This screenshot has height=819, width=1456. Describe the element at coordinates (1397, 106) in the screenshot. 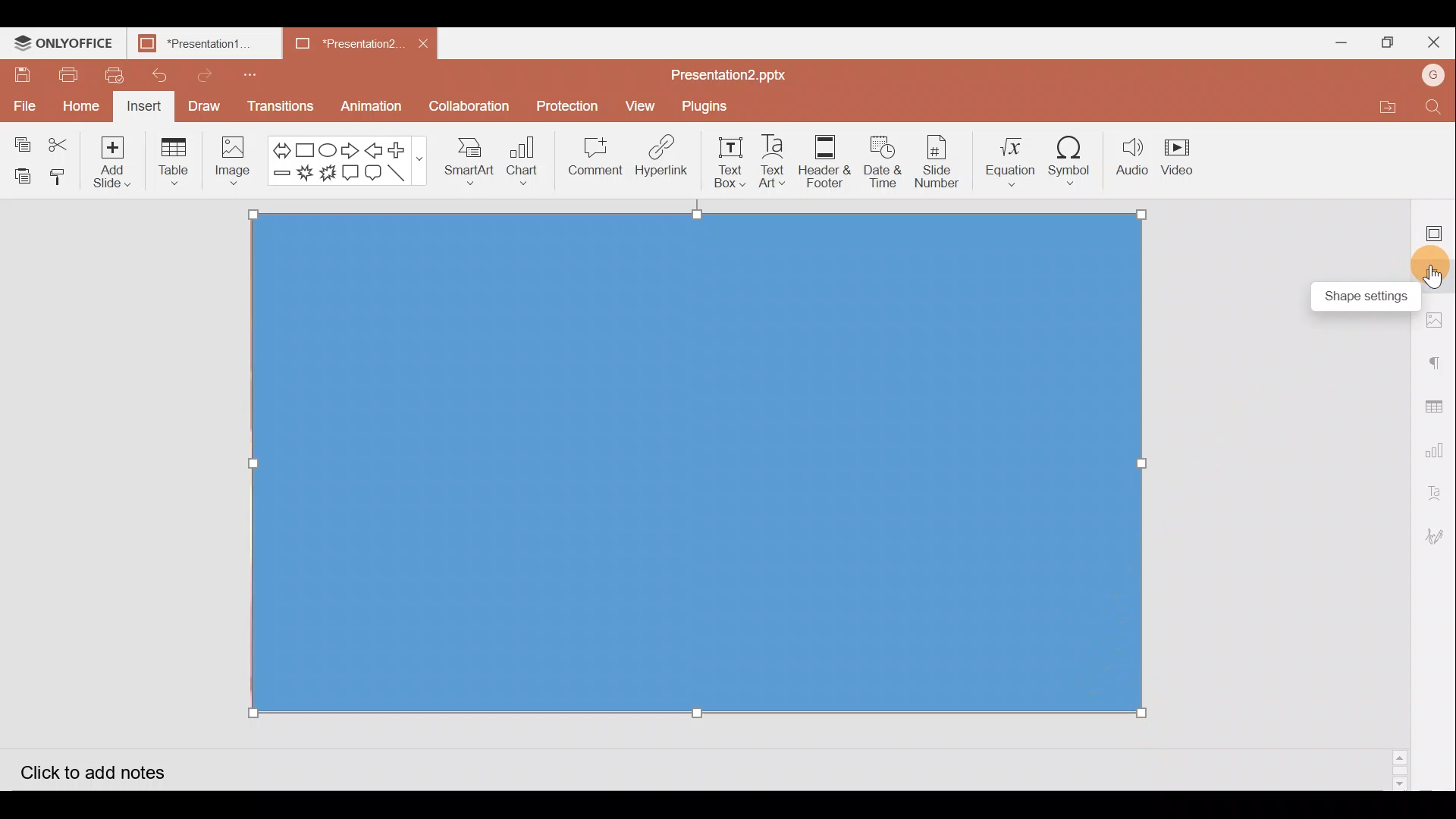

I see `Open file location` at that location.